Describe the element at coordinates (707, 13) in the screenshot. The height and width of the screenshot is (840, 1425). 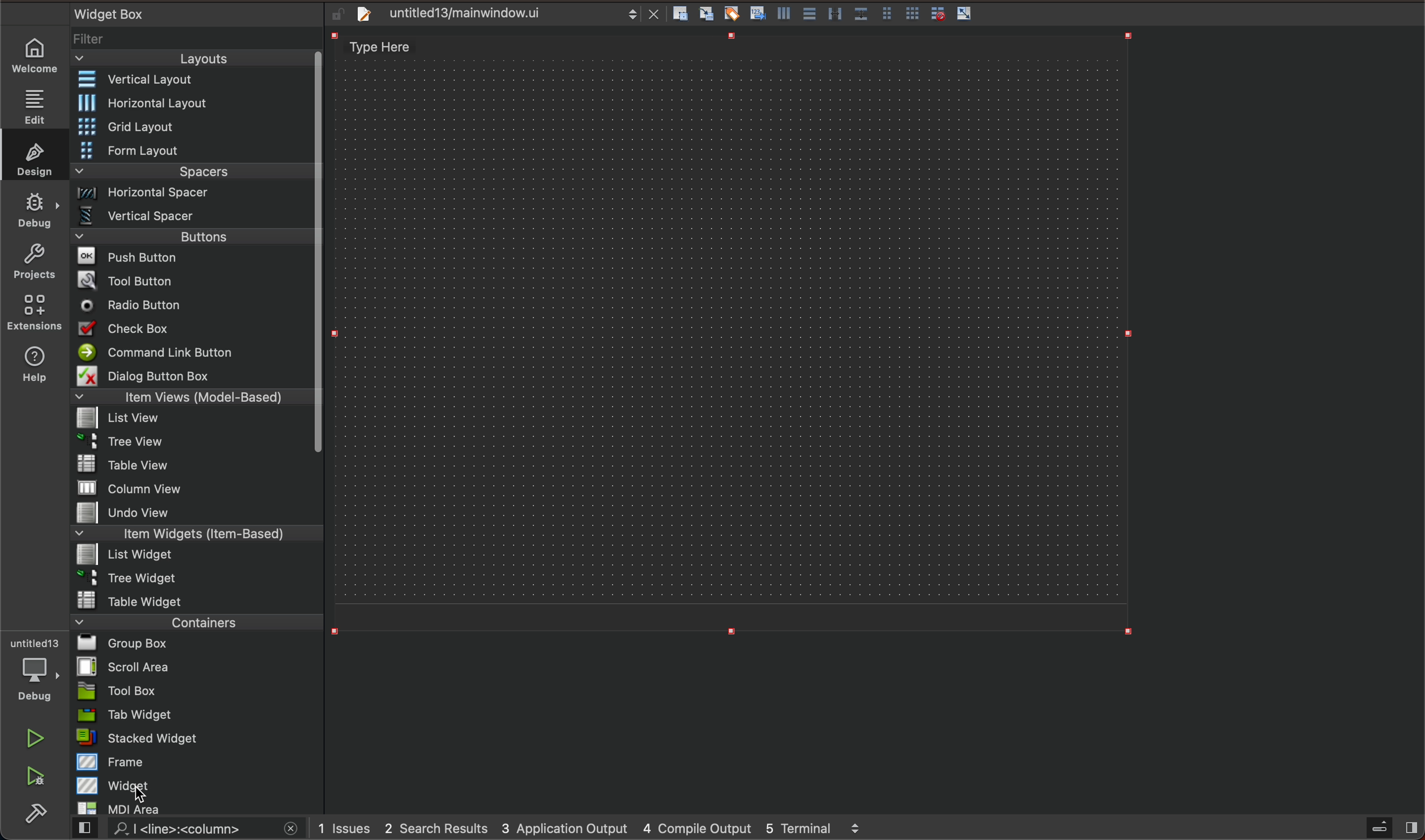
I see `` at that location.